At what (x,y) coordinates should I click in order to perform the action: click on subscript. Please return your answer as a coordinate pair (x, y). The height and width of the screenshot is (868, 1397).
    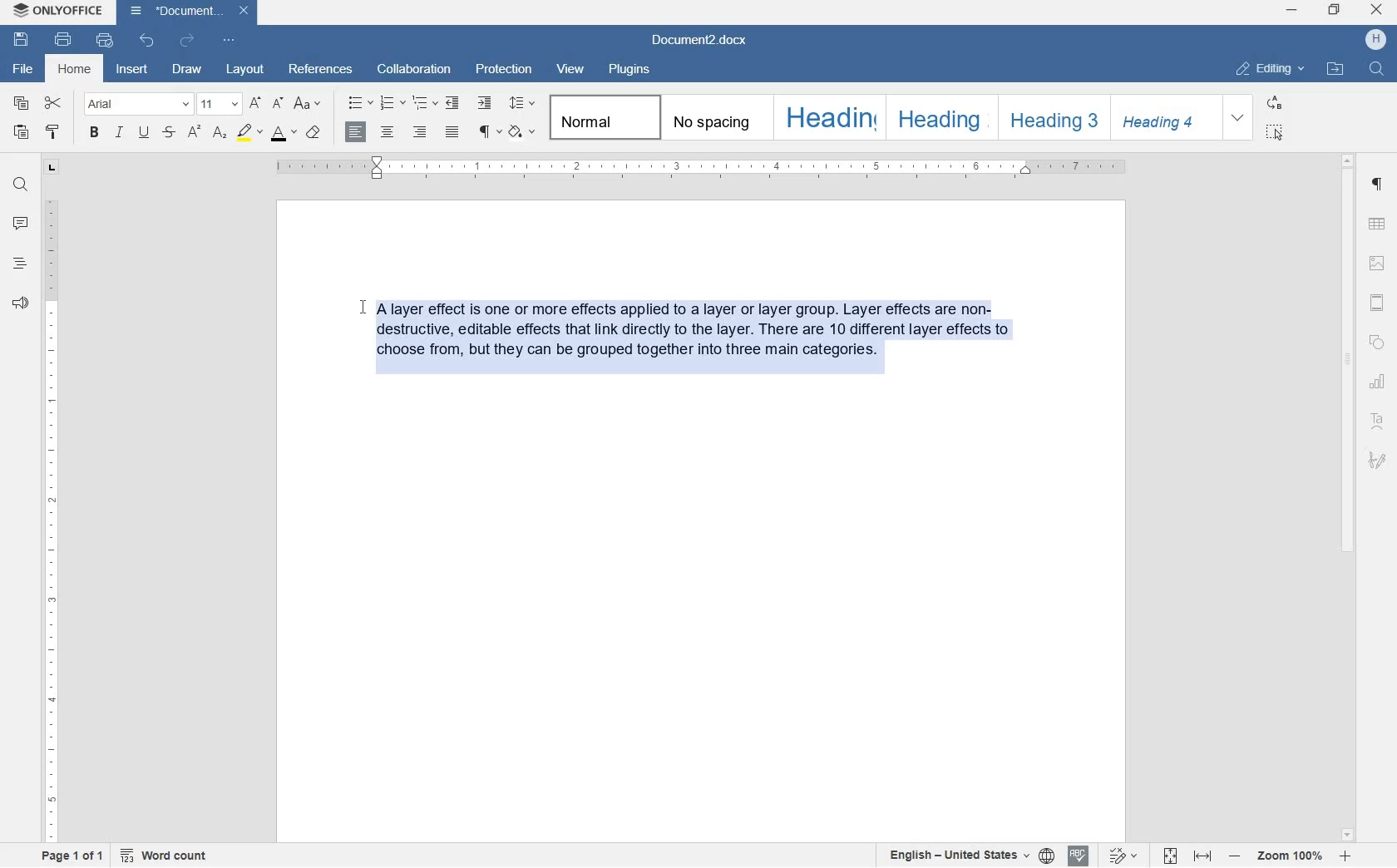
    Looking at the image, I should click on (220, 134).